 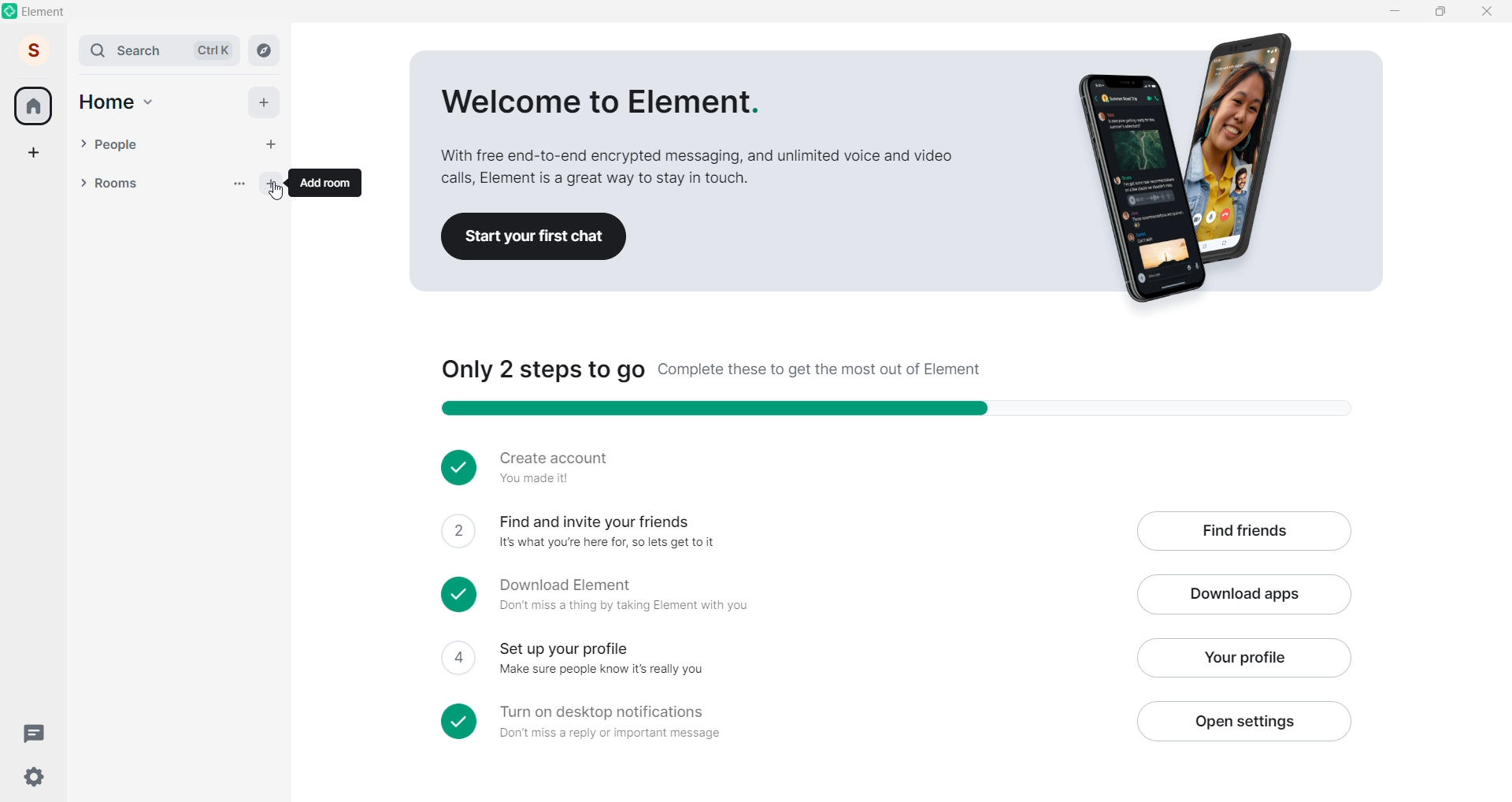 I want to click on Add Room, so click(x=328, y=182).